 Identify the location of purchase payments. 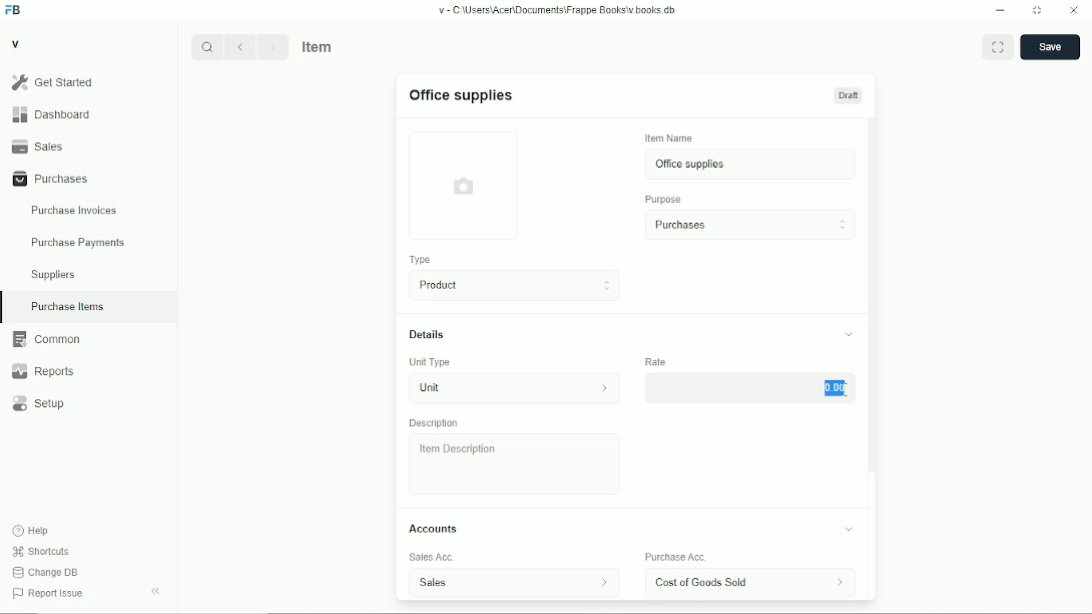
(77, 243).